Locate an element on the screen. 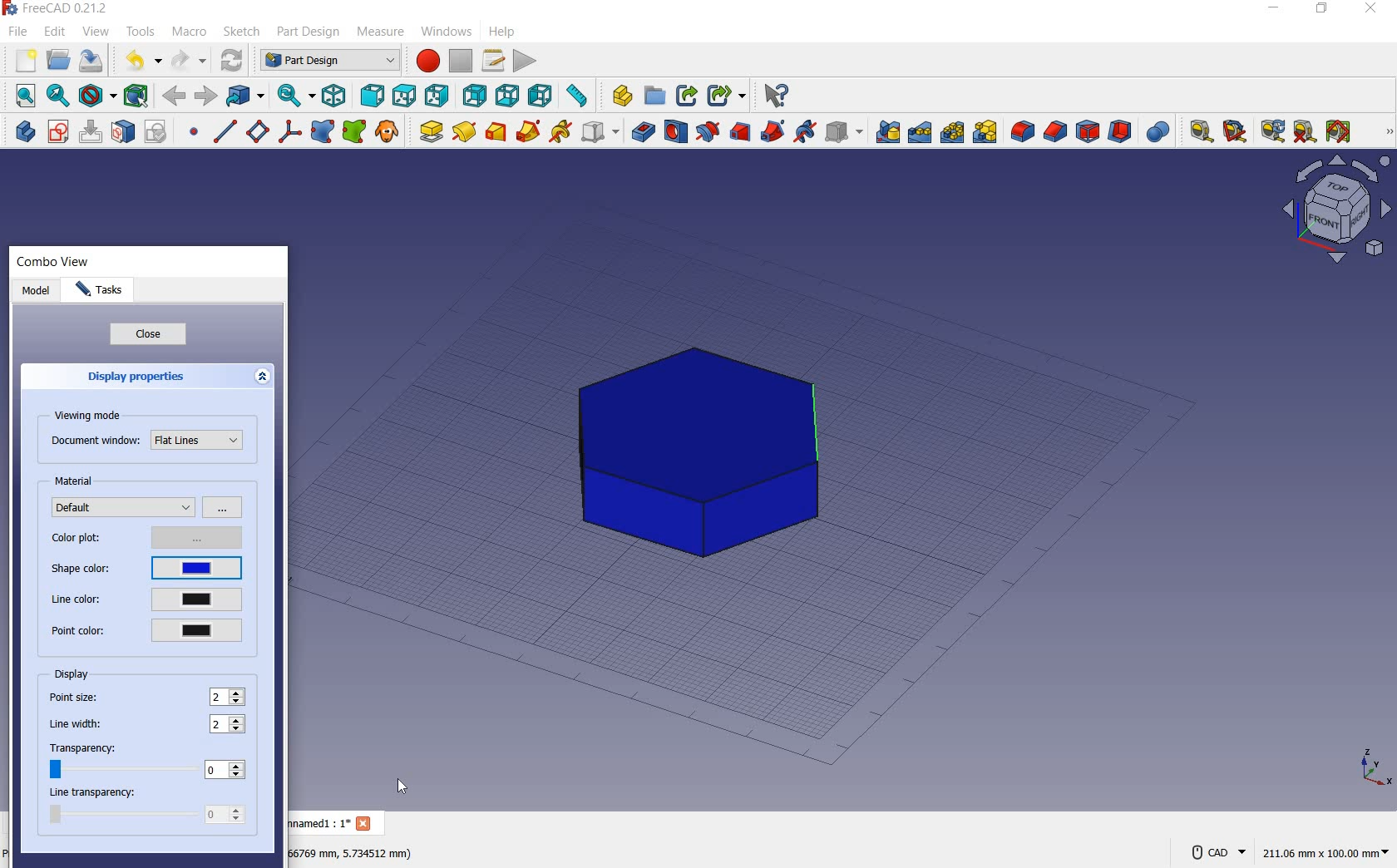 Image resolution: width=1397 pixels, height=868 pixels. point size is located at coordinates (93, 698).